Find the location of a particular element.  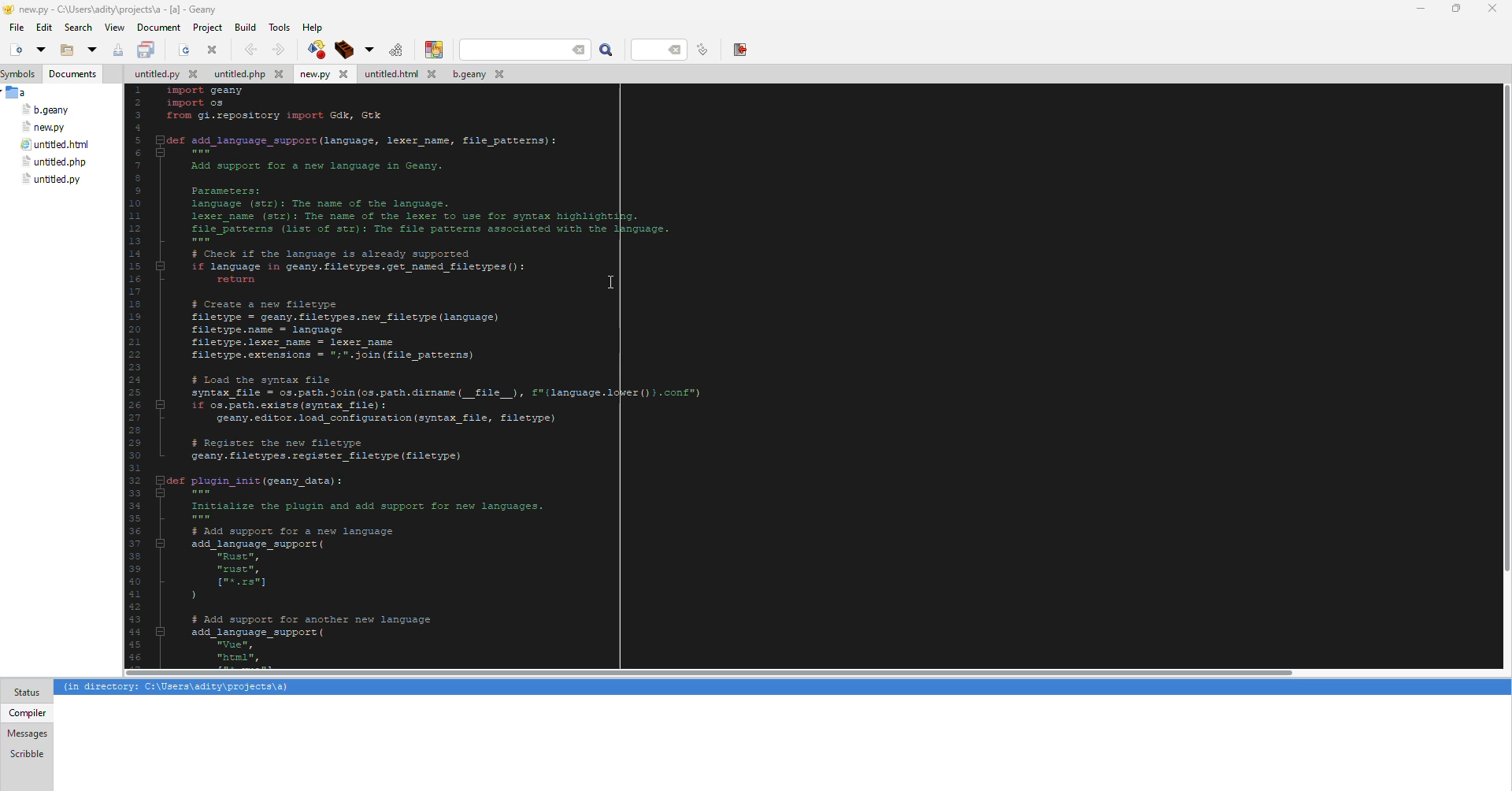

cursor is located at coordinates (623, 288).